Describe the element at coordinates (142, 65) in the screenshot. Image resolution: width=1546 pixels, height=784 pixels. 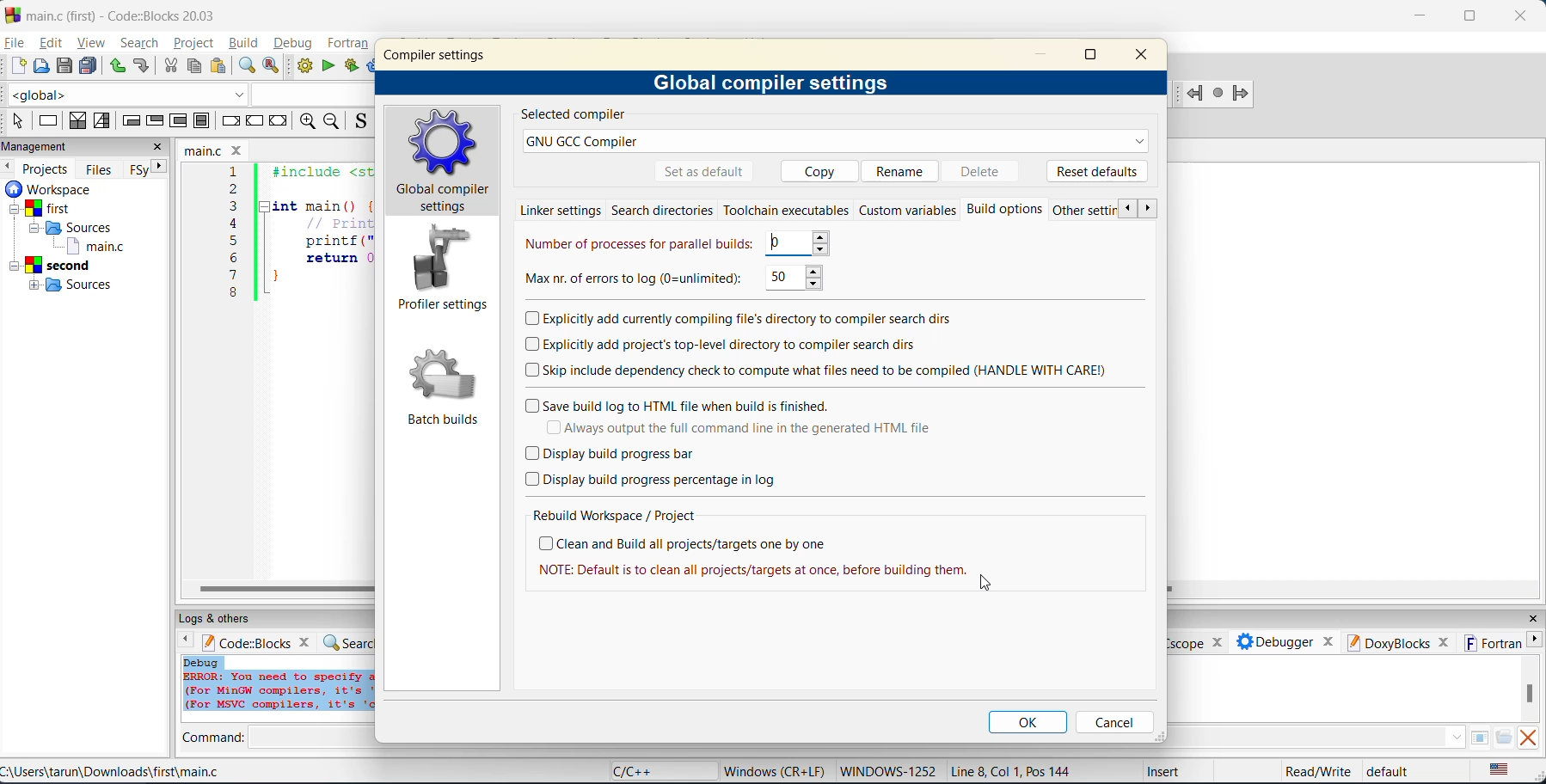
I see `redo` at that location.